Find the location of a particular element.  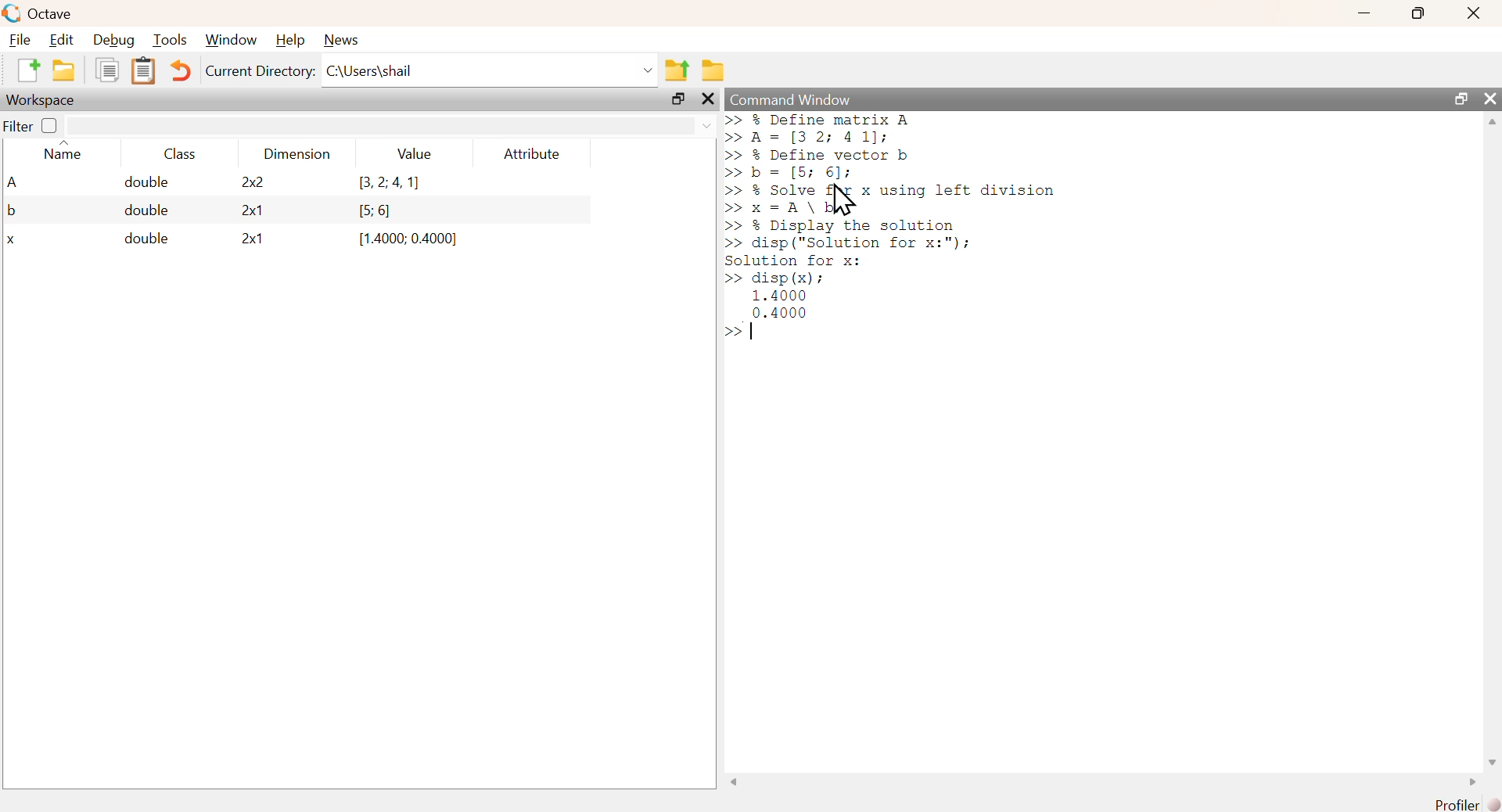

close is located at coordinates (1490, 98).